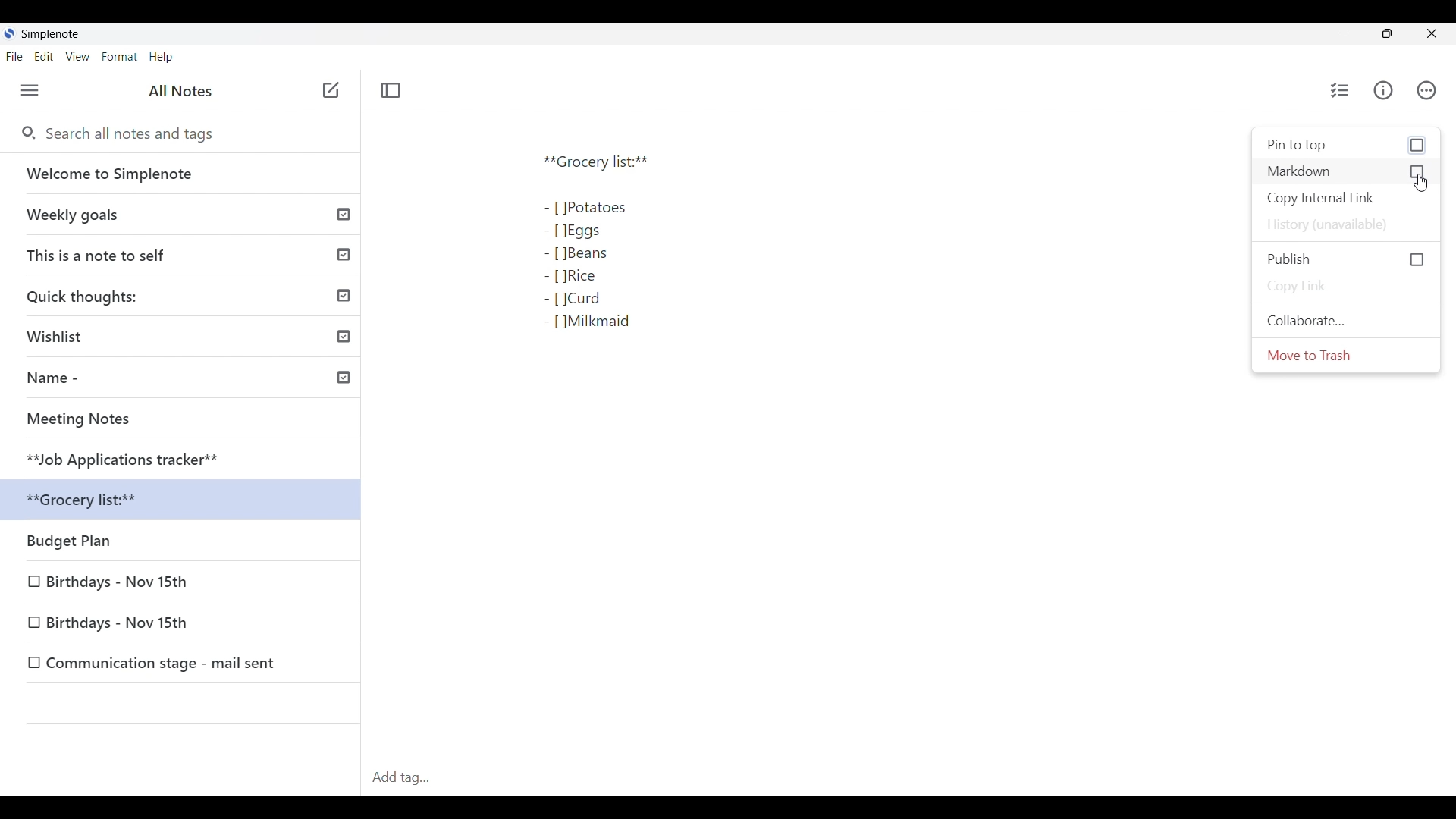 This screenshot has height=819, width=1456. What do you see at coordinates (185, 174) in the screenshot?
I see `Welcome to Simplenote` at bounding box center [185, 174].